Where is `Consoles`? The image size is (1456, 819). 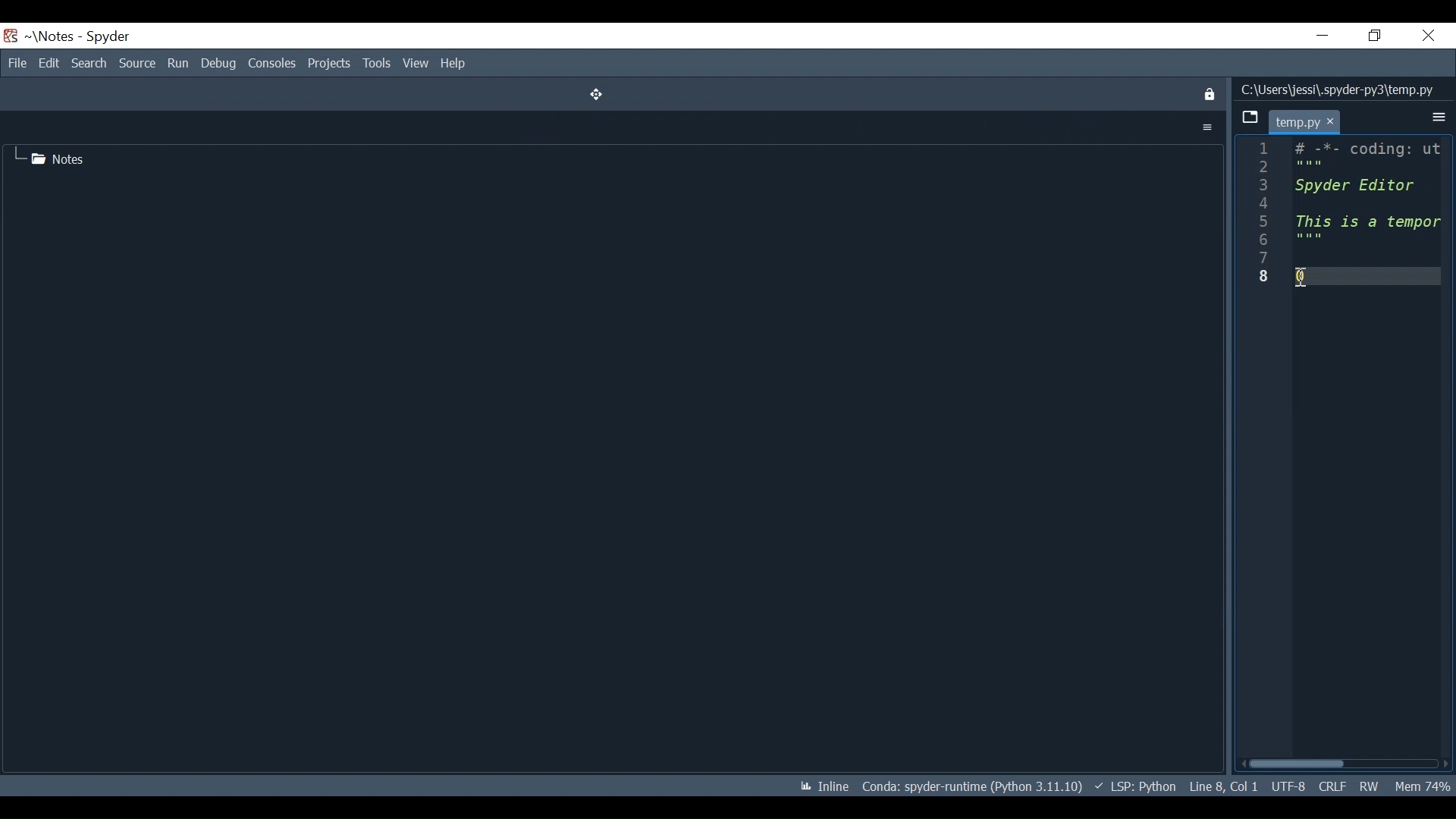
Consoles is located at coordinates (272, 64).